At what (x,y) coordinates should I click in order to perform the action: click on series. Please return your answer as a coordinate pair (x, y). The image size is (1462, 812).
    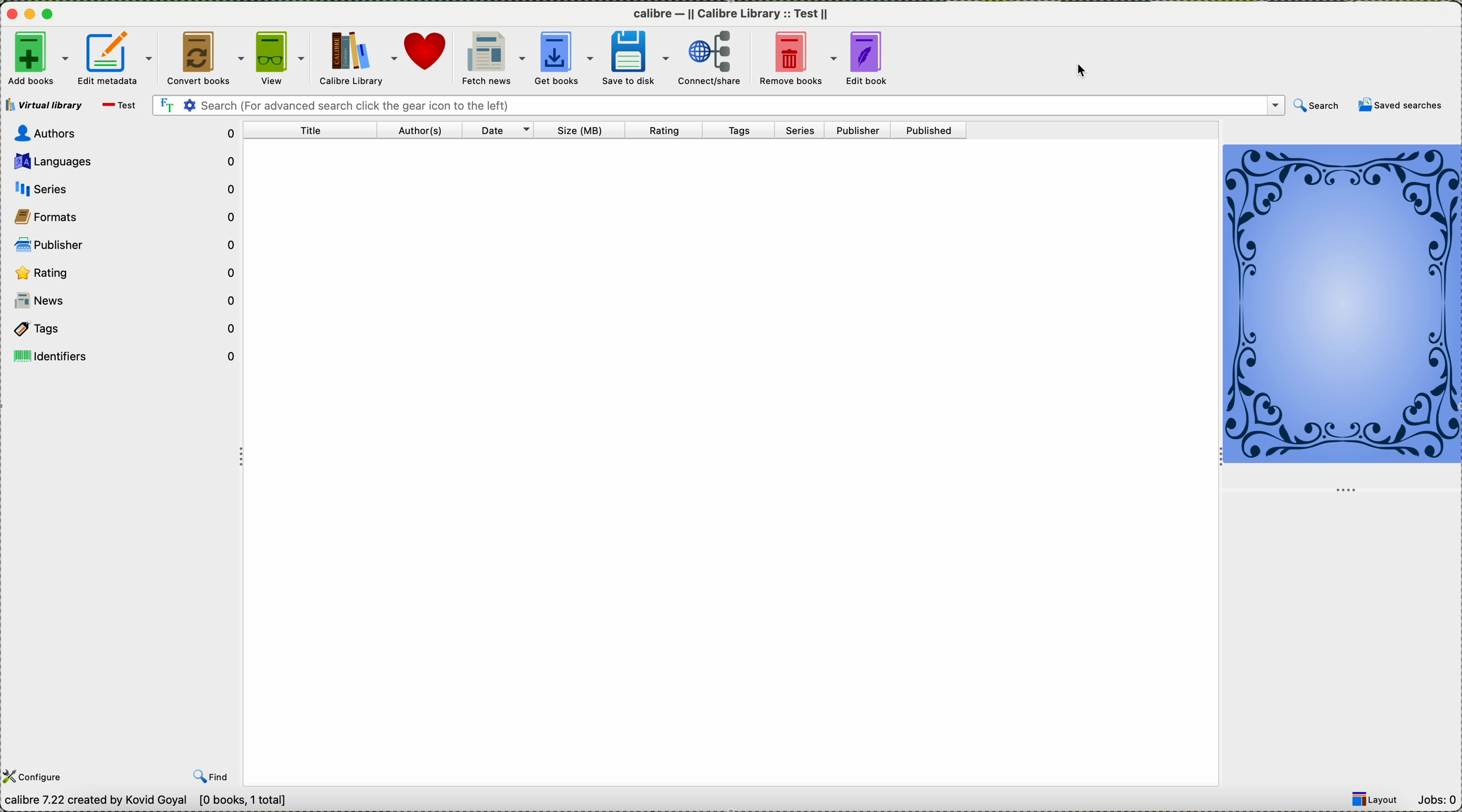
    Looking at the image, I should click on (806, 131).